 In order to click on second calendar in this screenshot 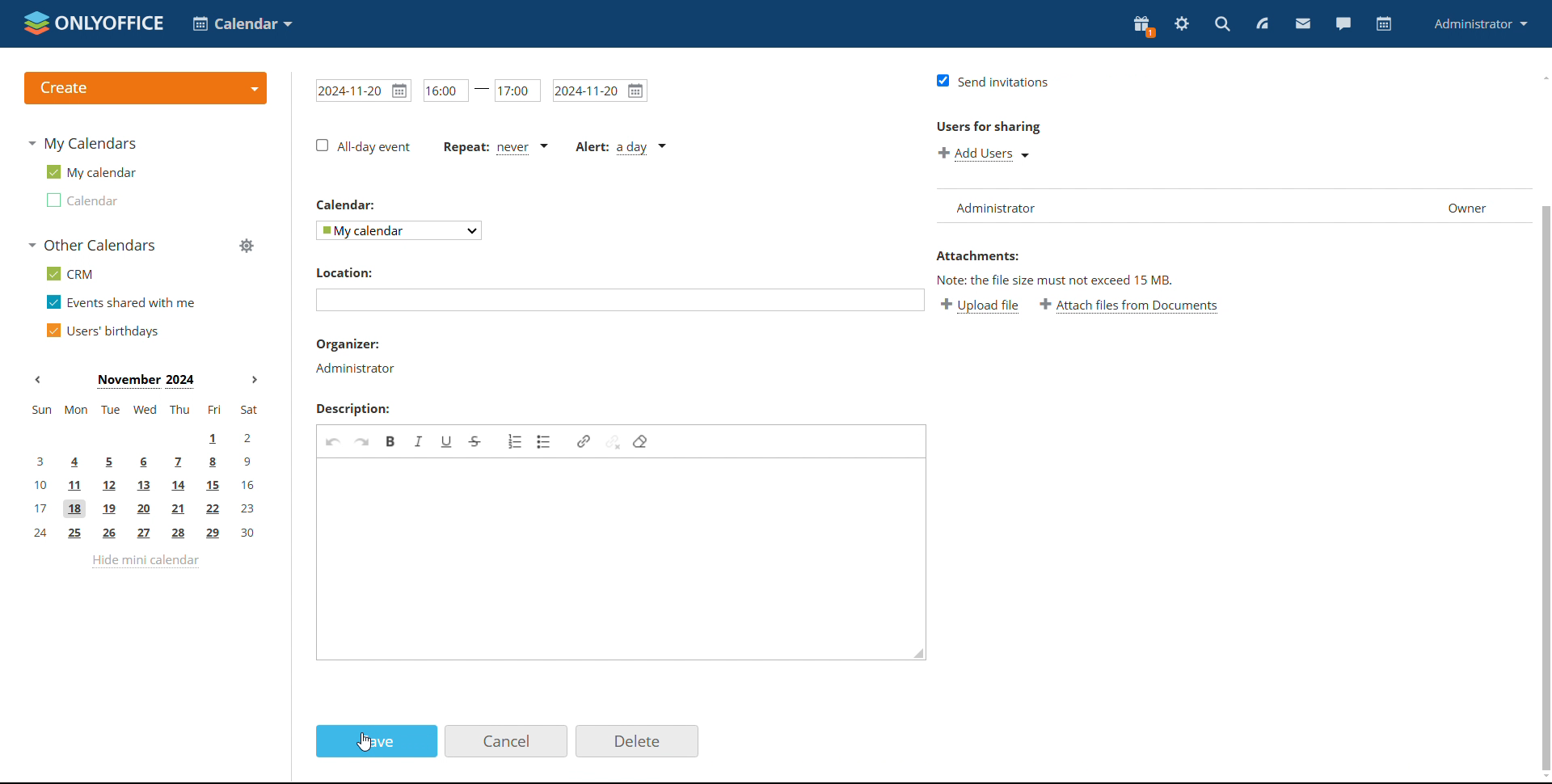, I will do `click(80, 200)`.